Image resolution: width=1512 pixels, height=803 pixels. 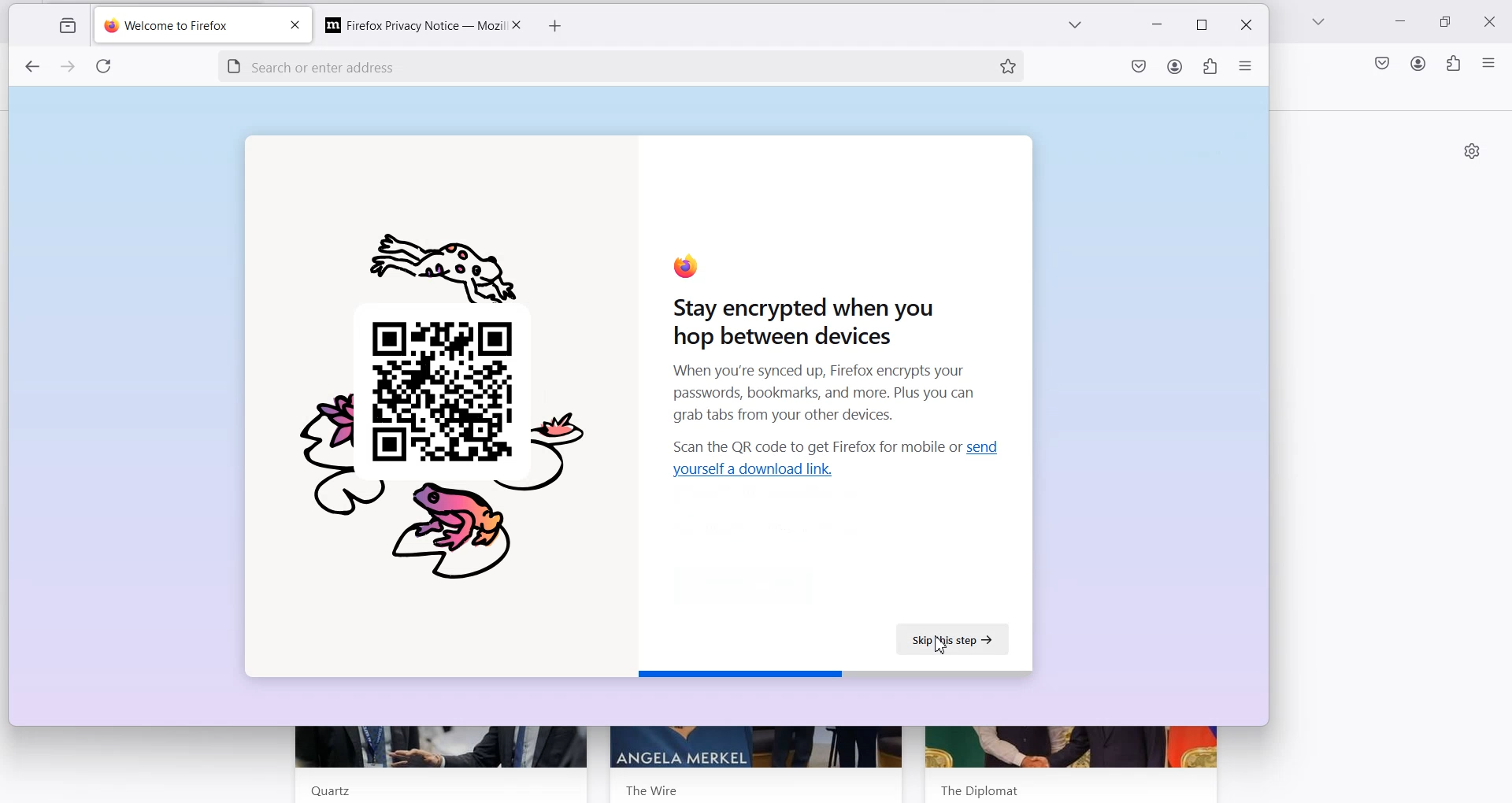 I want to click on welcome to firefox, so click(x=185, y=27).